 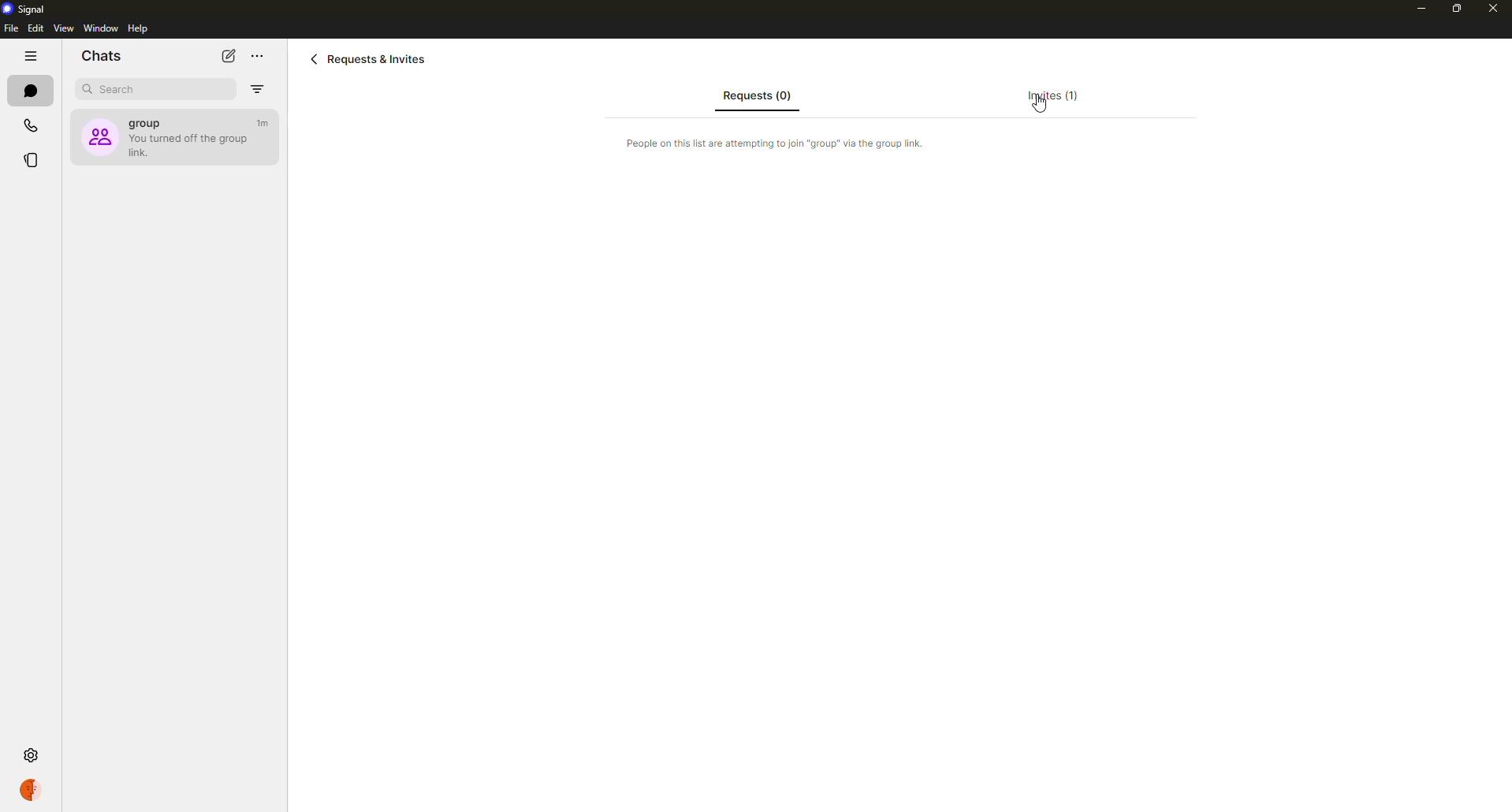 What do you see at coordinates (1040, 107) in the screenshot?
I see `cursor` at bounding box center [1040, 107].